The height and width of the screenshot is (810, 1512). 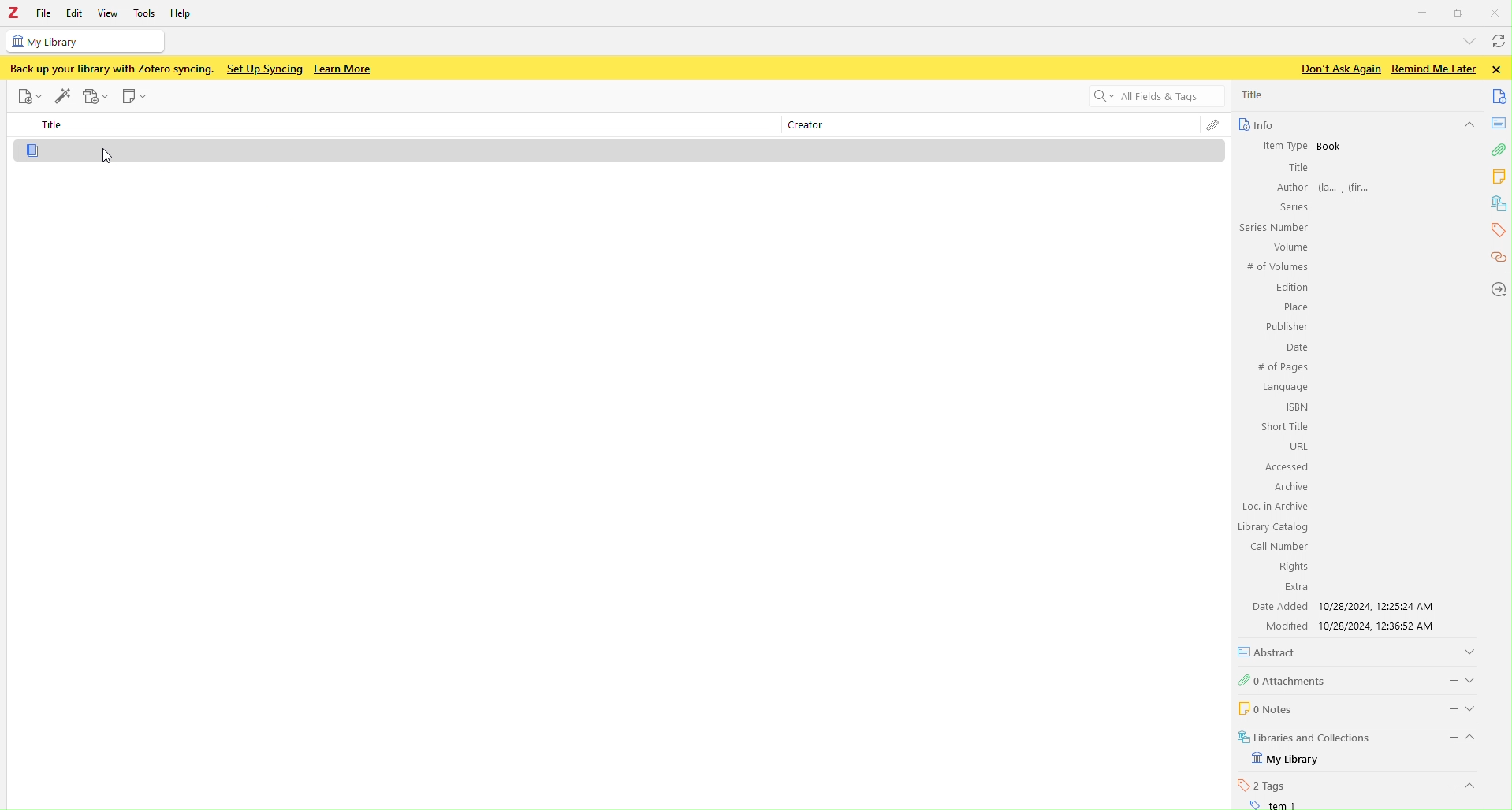 I want to click on show, so click(x=1473, y=678).